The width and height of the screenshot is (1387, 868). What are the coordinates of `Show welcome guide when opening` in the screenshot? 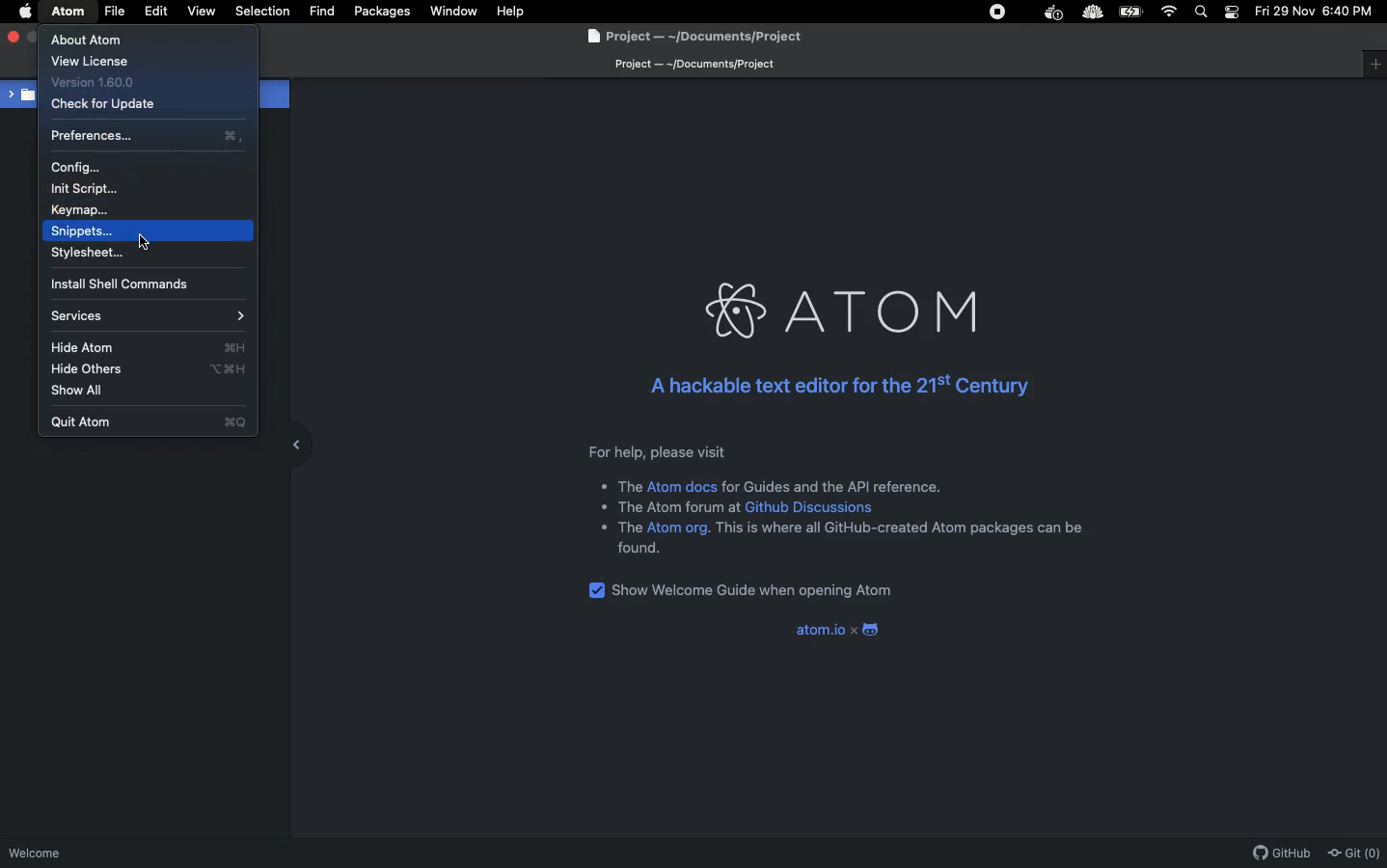 It's located at (753, 591).